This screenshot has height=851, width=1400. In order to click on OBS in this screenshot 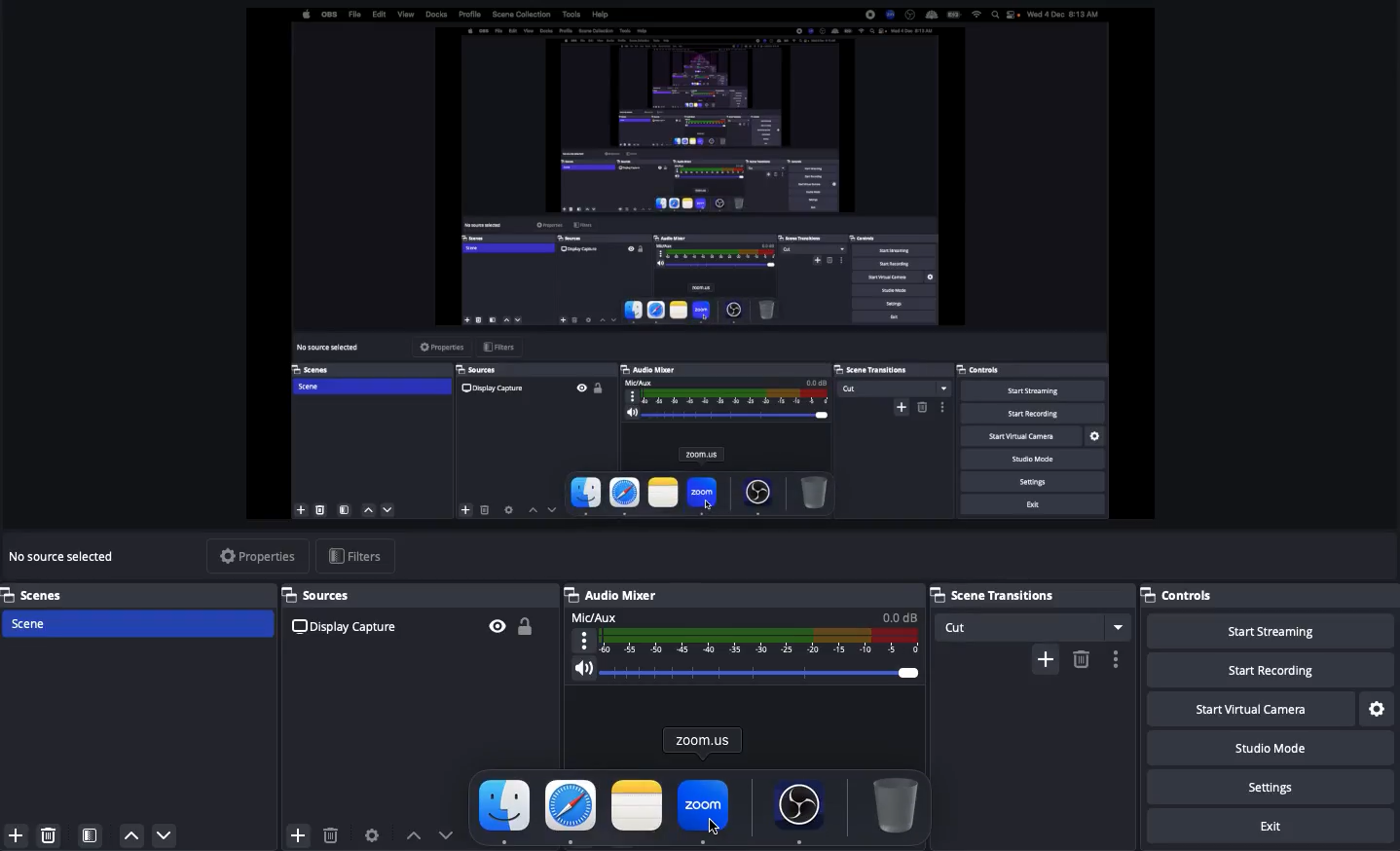, I will do `click(800, 807)`.